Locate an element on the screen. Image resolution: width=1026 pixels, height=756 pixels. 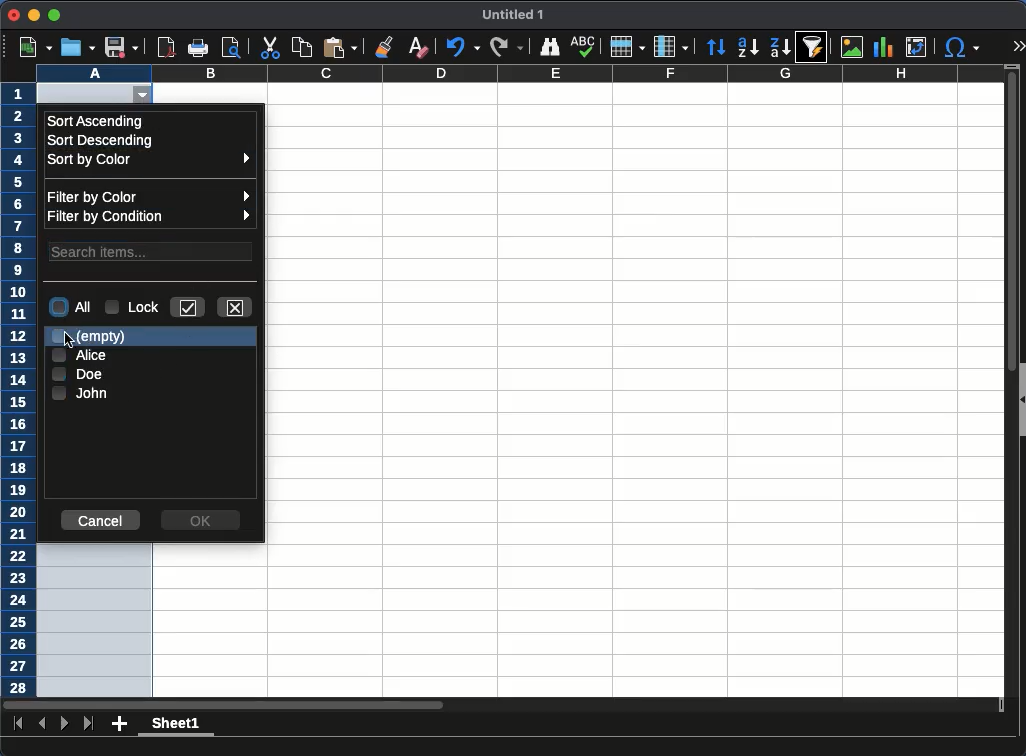
collapse is located at coordinates (1020, 400).